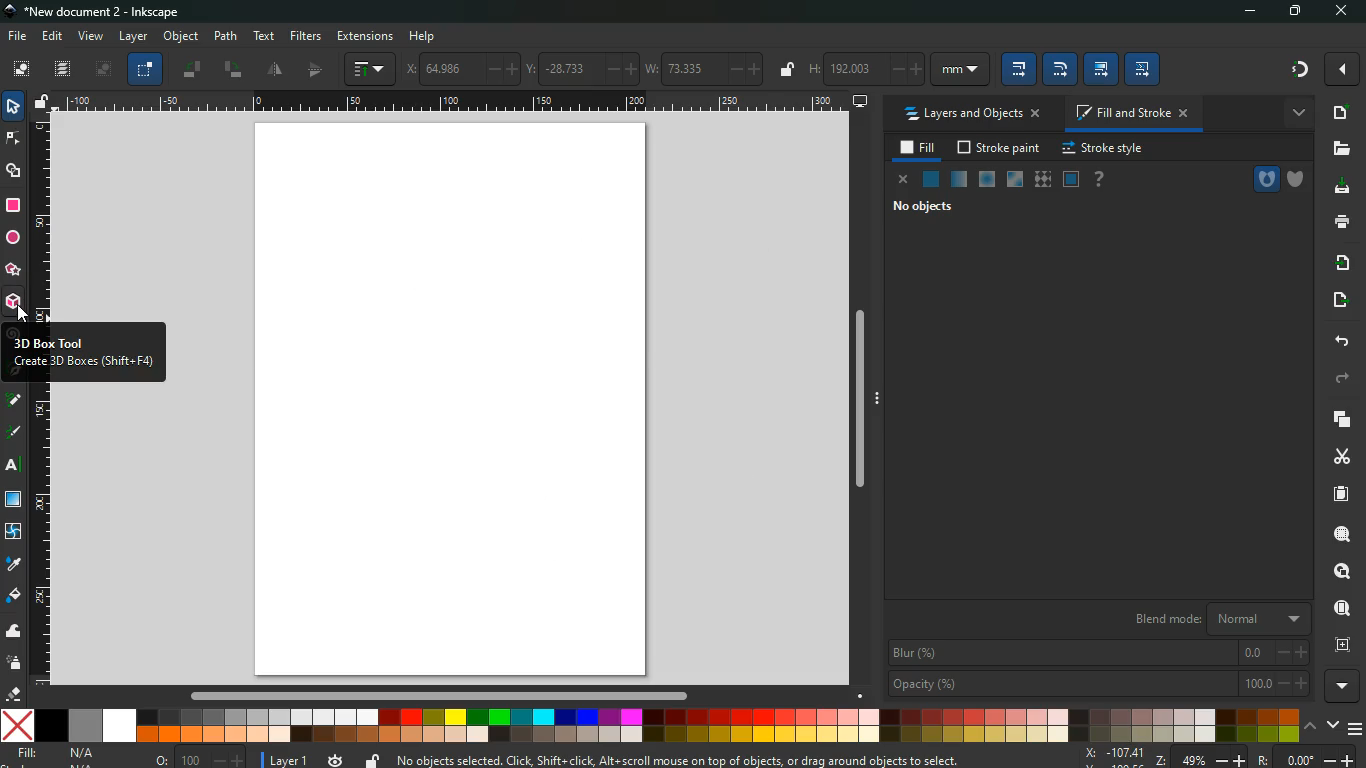 The width and height of the screenshot is (1366, 768). What do you see at coordinates (1341, 380) in the screenshot?
I see `forward` at bounding box center [1341, 380].